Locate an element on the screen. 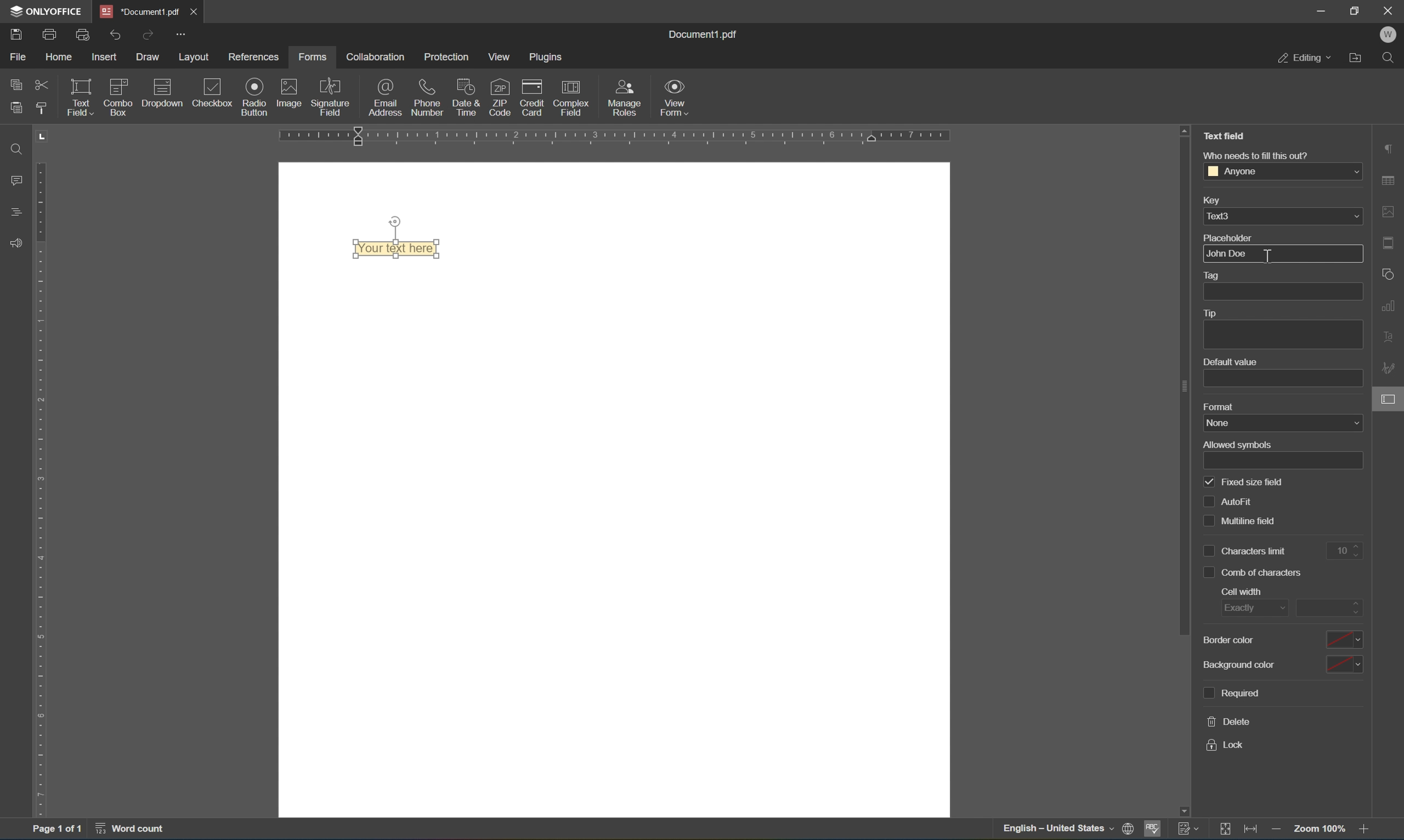 This screenshot has height=840, width=1404. minimize is located at coordinates (1320, 10).